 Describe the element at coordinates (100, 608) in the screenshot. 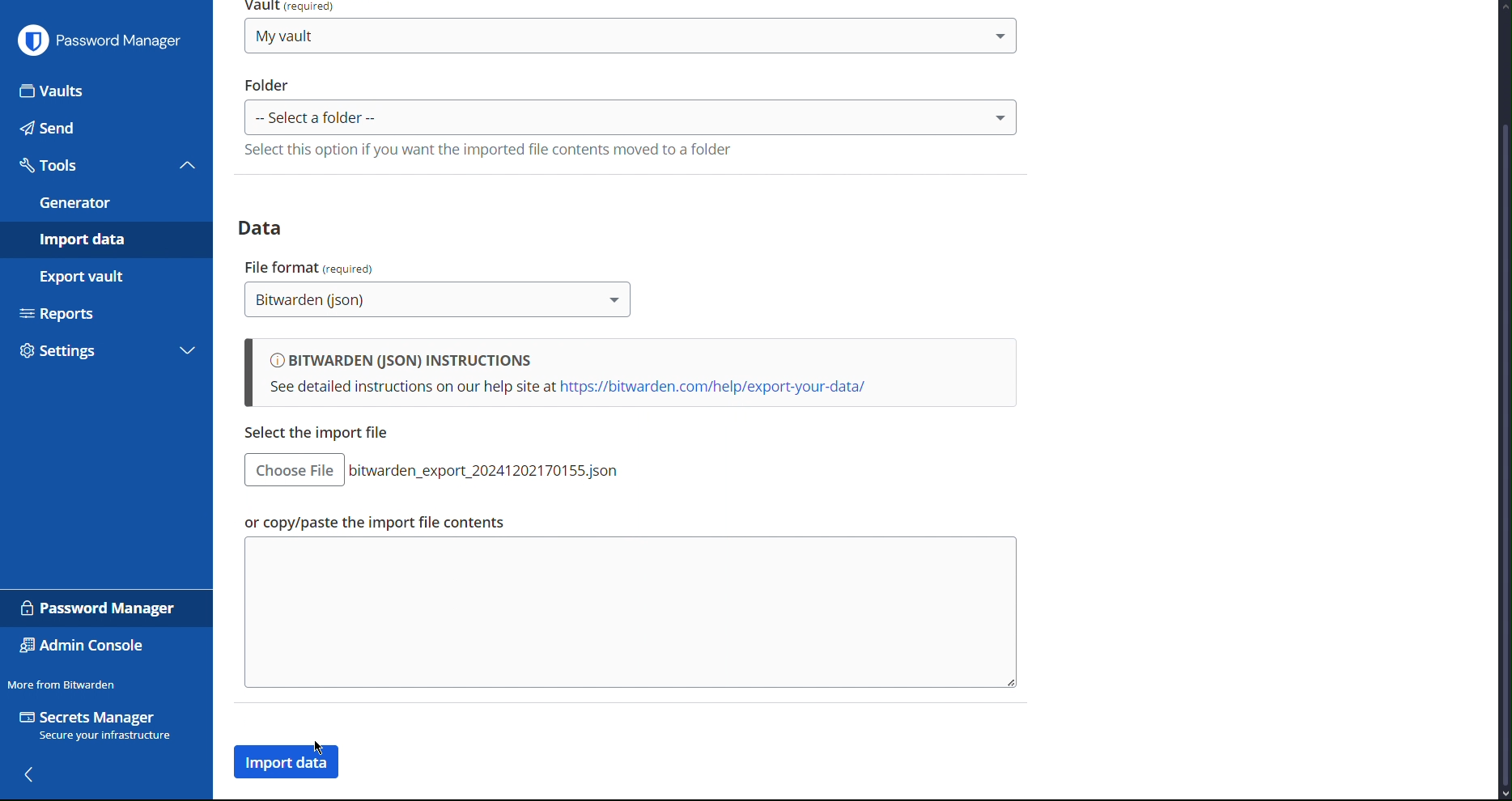

I see `Password Manager` at that location.